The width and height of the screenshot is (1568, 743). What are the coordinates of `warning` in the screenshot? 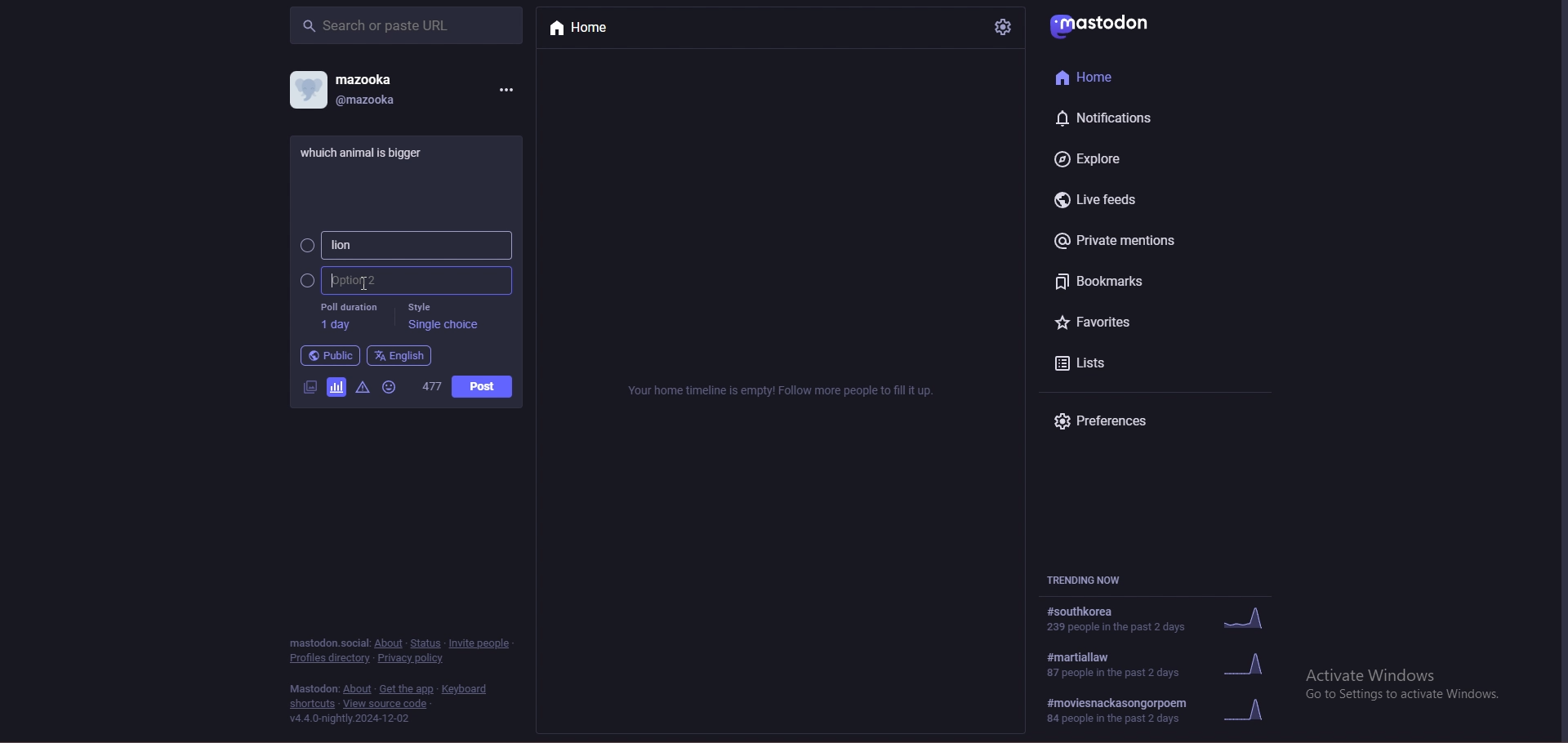 It's located at (363, 389).